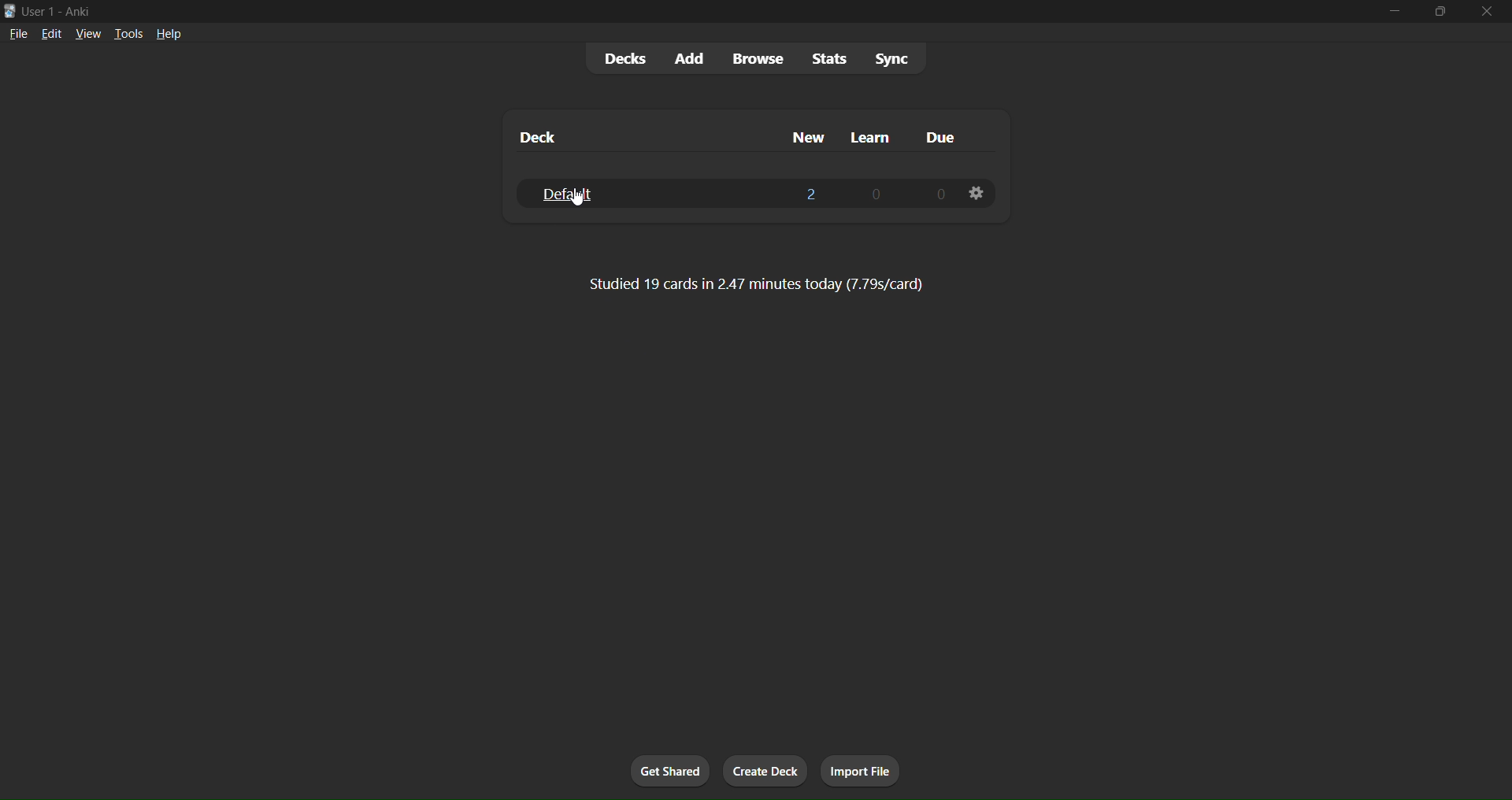  What do you see at coordinates (567, 194) in the screenshot?
I see `default` at bounding box center [567, 194].